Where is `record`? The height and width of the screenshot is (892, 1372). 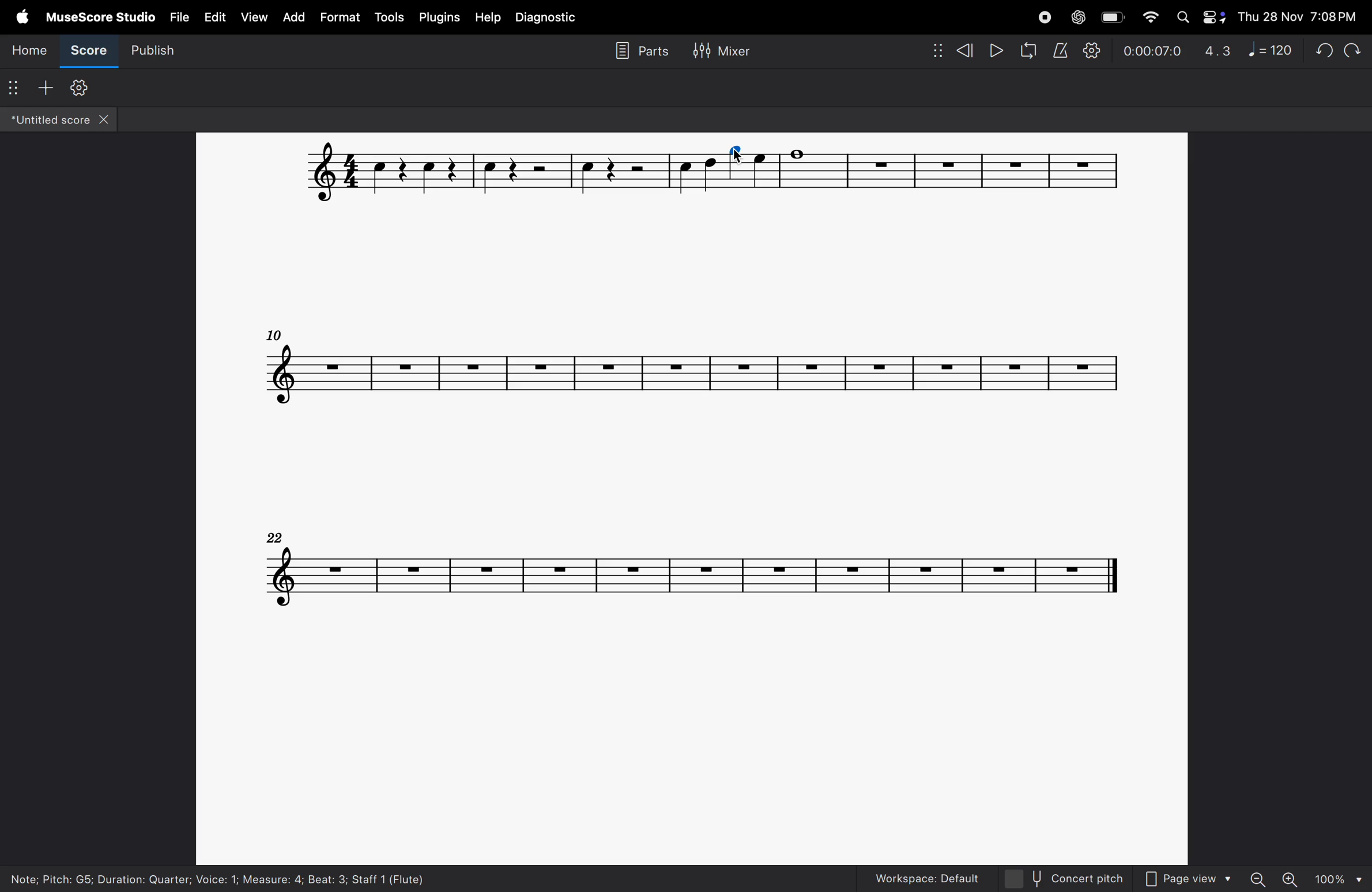
record is located at coordinates (1041, 17).